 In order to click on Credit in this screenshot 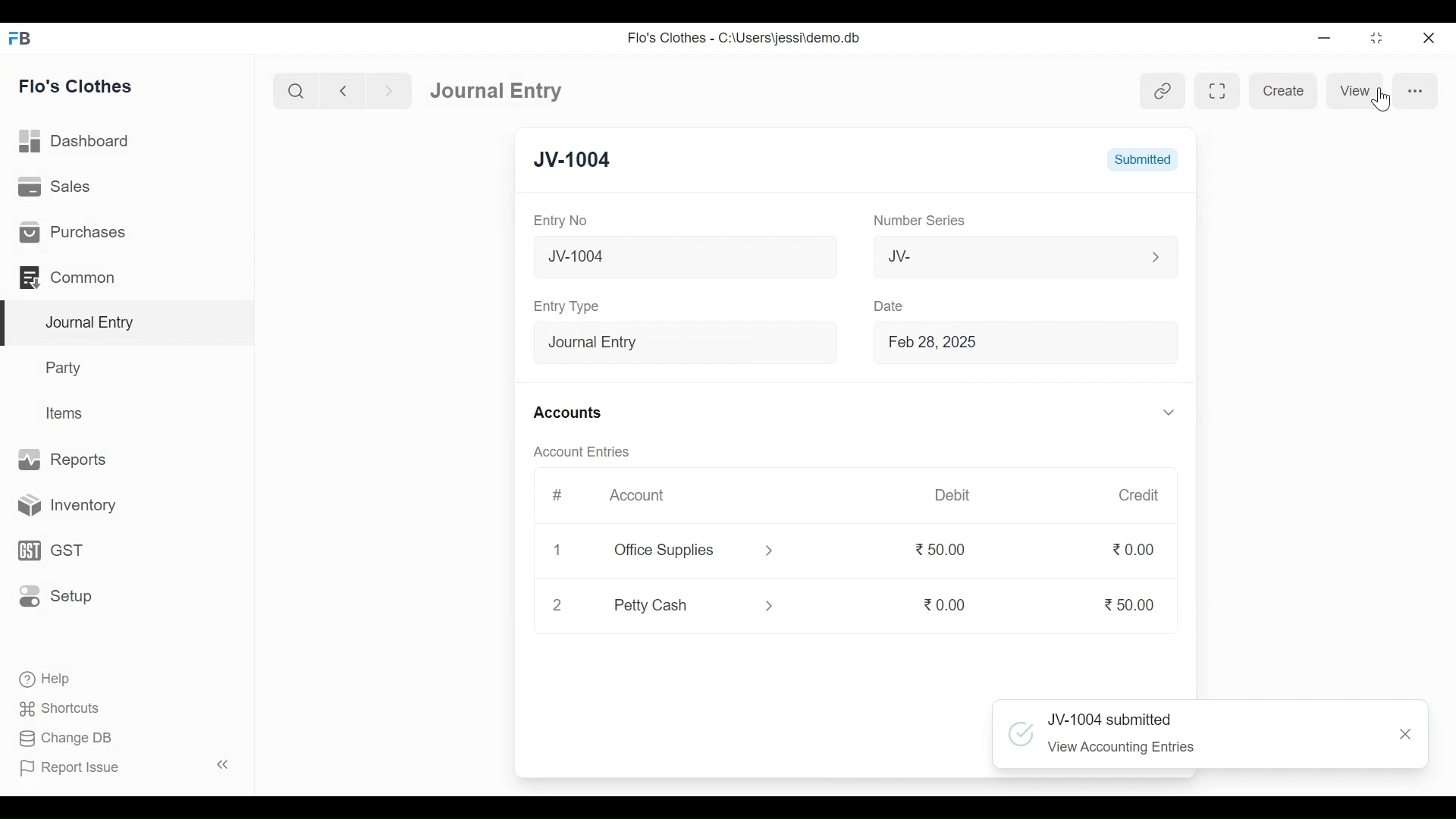, I will do `click(1129, 496)`.